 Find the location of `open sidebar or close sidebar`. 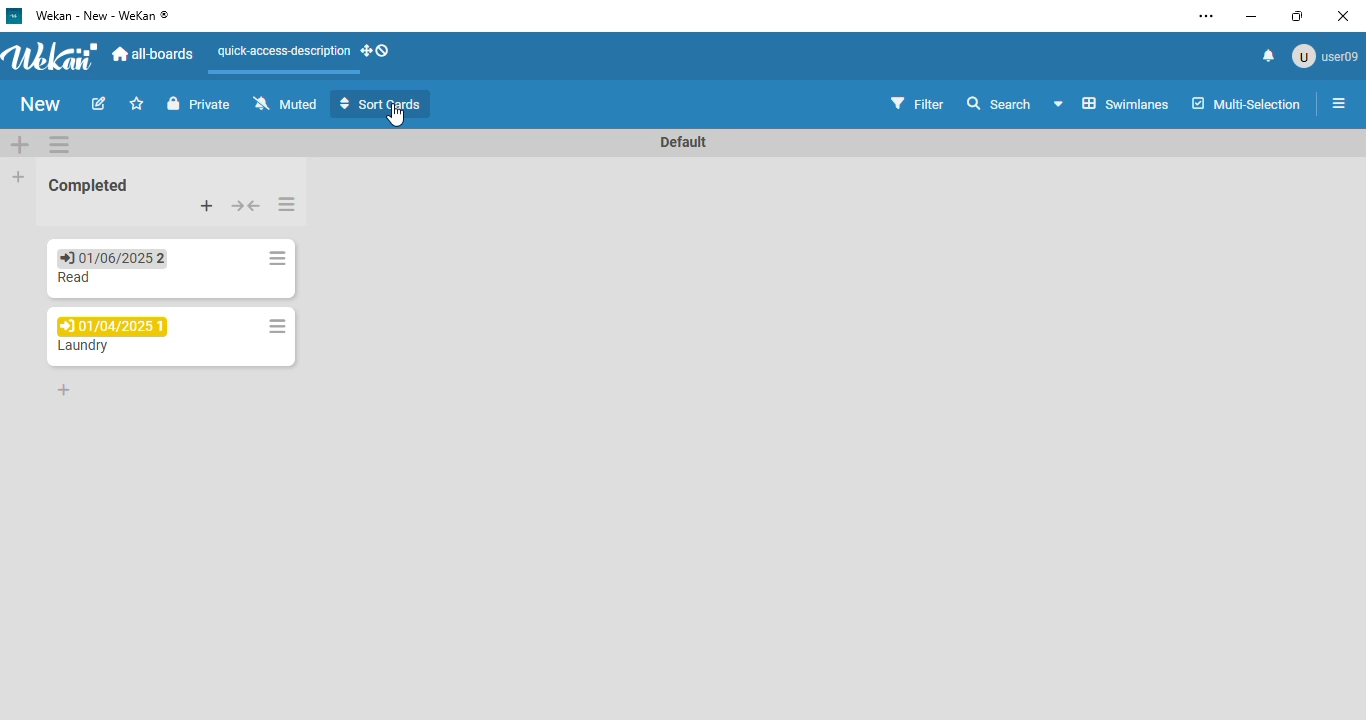

open sidebar or close sidebar is located at coordinates (1339, 103).